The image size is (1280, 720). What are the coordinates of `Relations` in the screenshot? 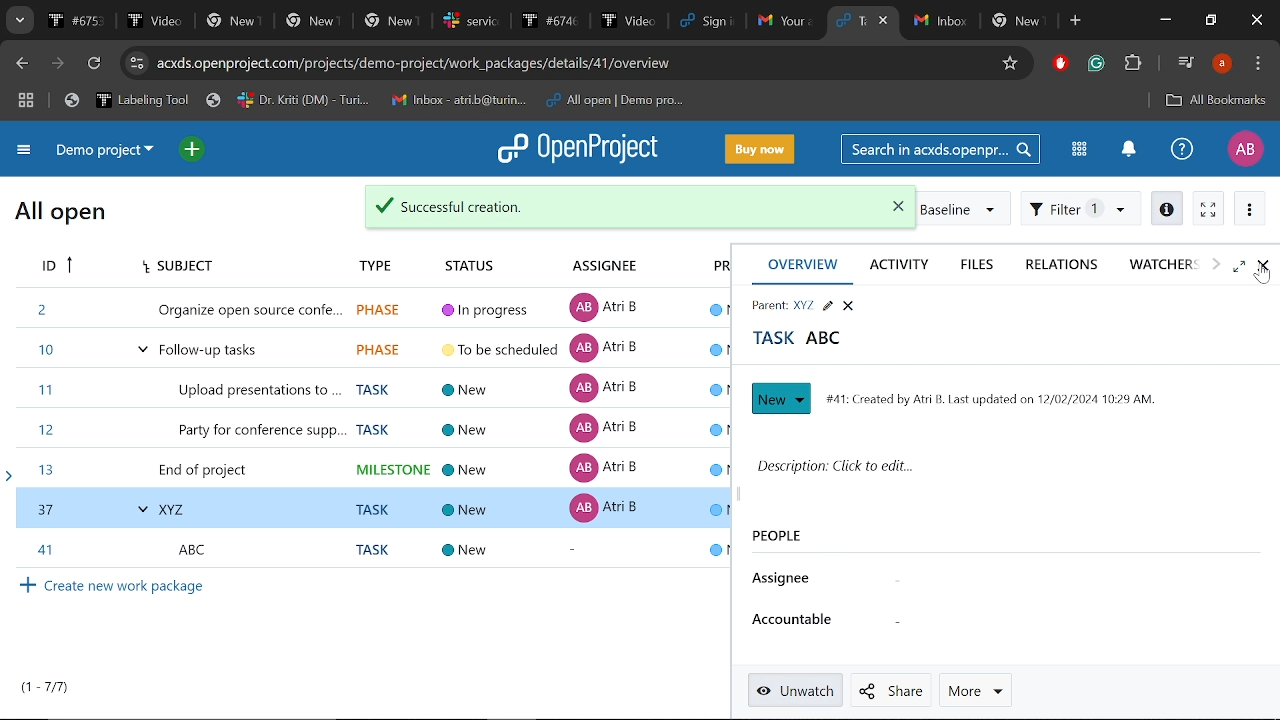 It's located at (1063, 264).